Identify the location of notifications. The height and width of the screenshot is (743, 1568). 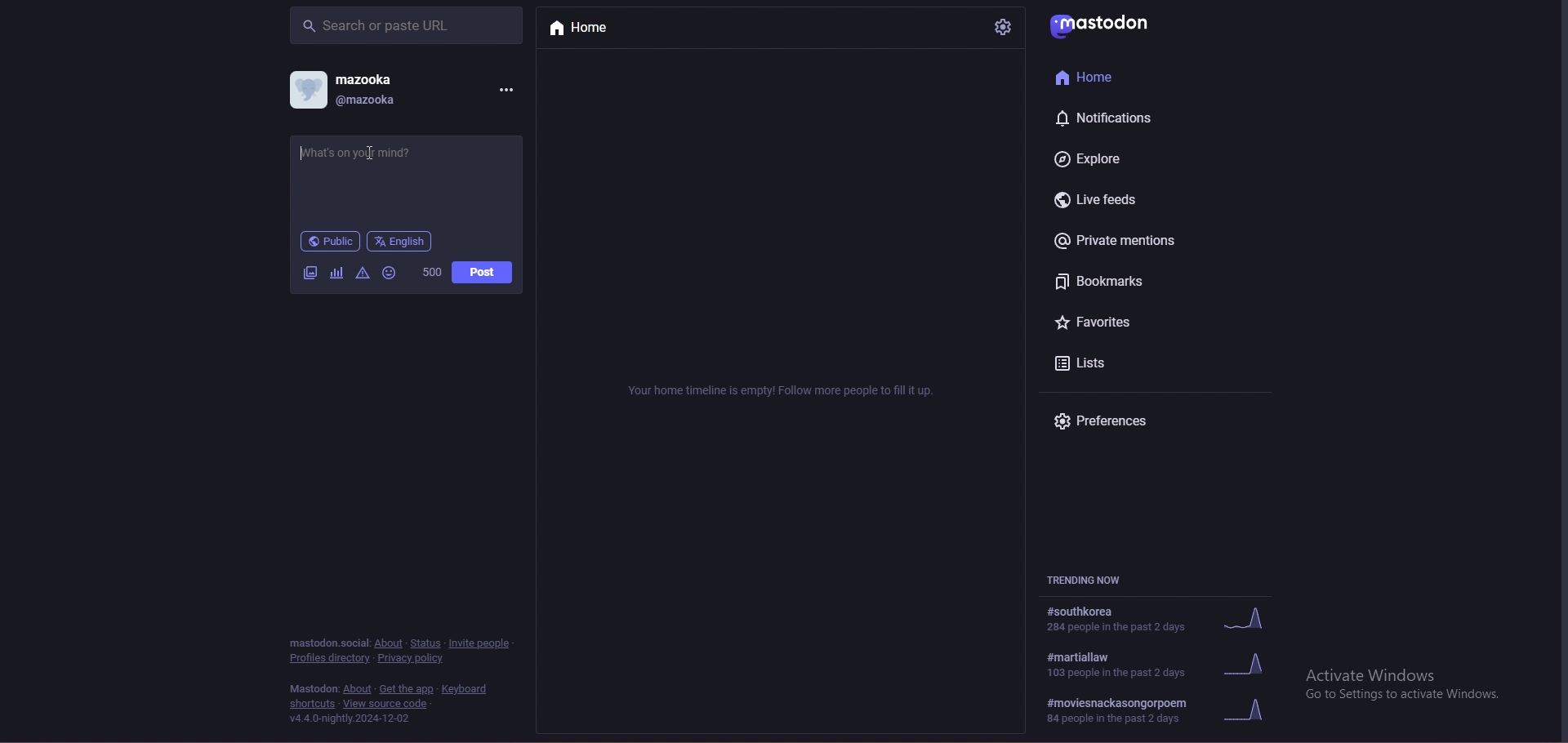
(1129, 118).